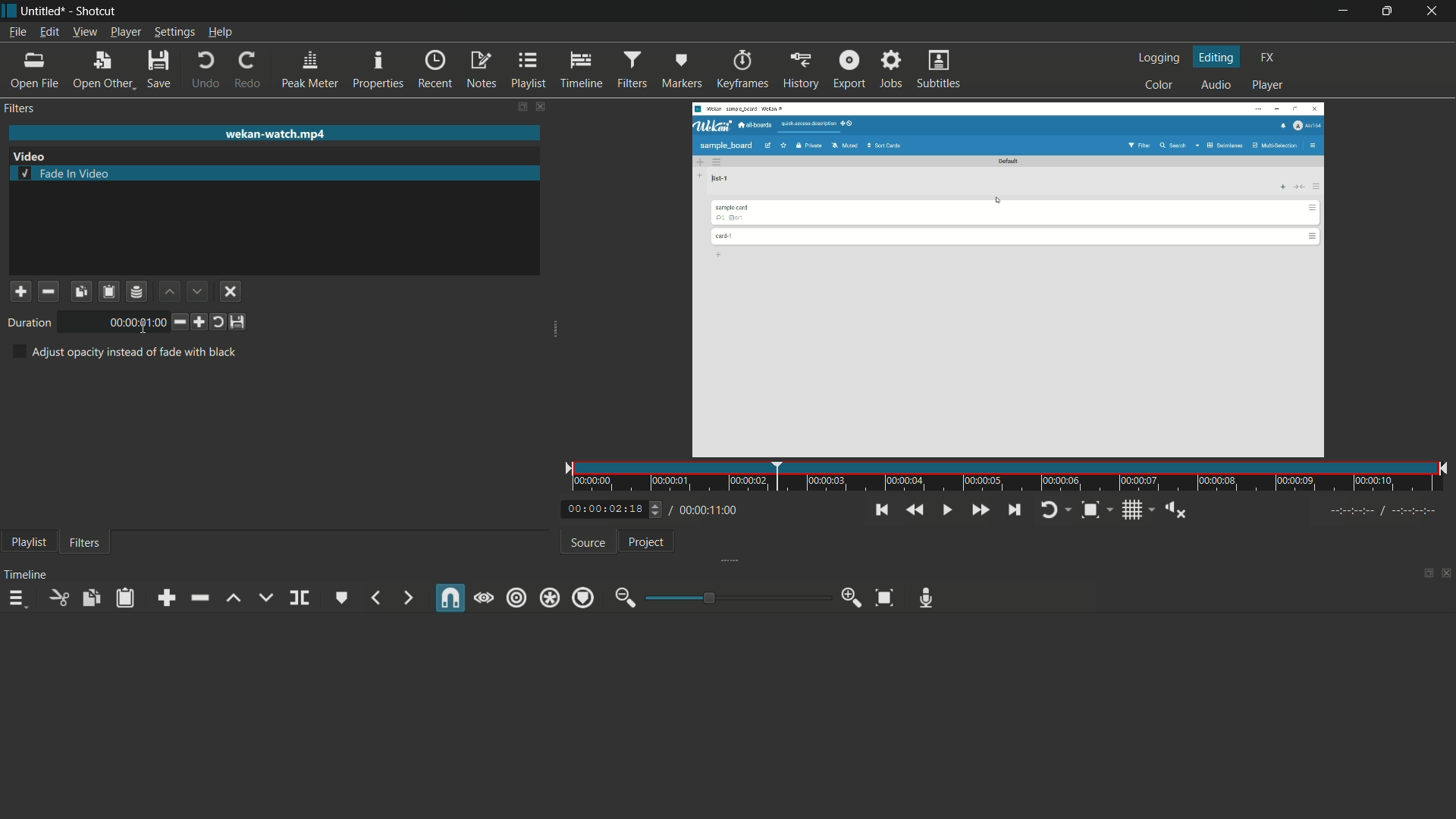 The height and width of the screenshot is (819, 1456). Describe the element at coordinates (20, 291) in the screenshot. I see `add a filter` at that location.